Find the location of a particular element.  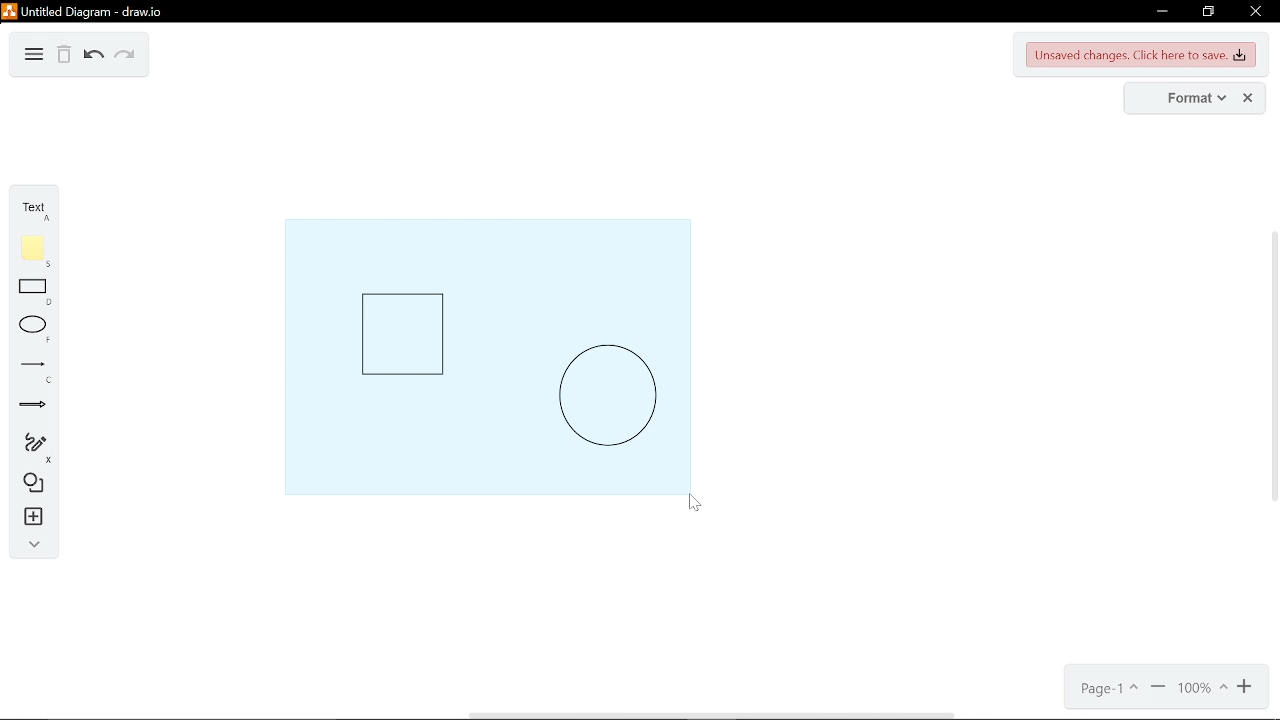

rectangle is located at coordinates (33, 293).